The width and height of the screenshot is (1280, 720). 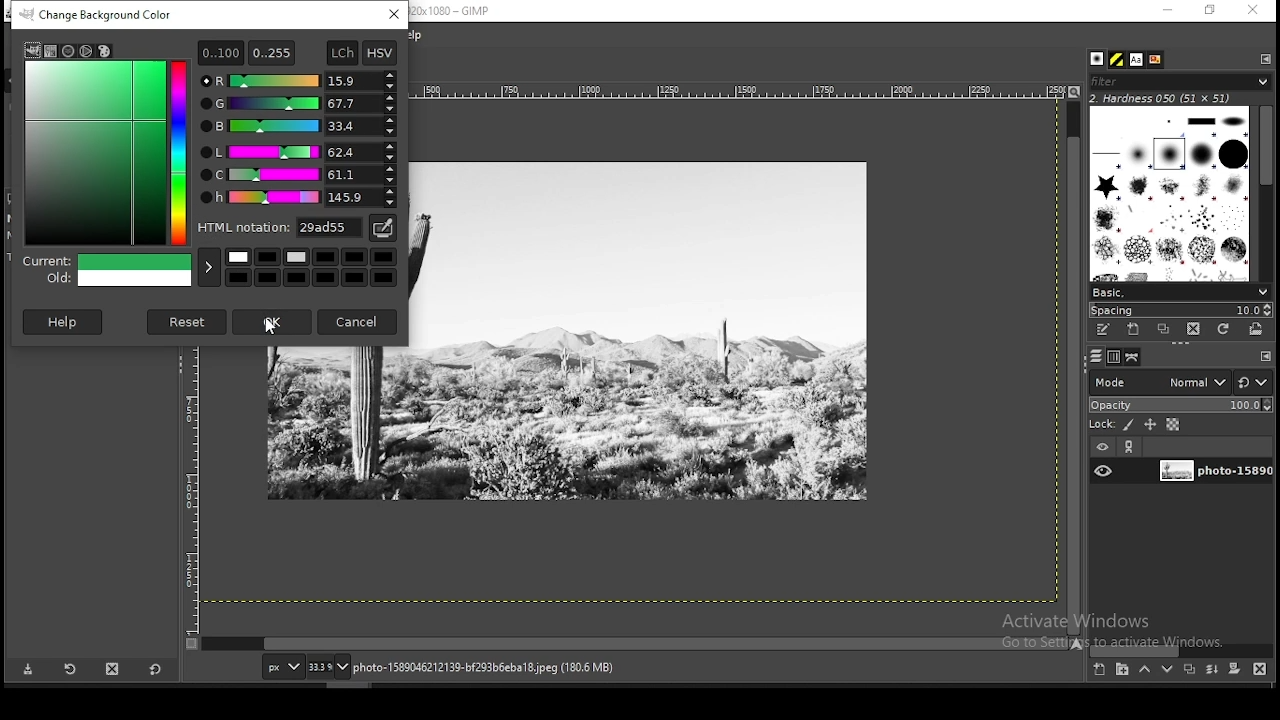 What do you see at coordinates (1118, 59) in the screenshot?
I see `patterns` at bounding box center [1118, 59].